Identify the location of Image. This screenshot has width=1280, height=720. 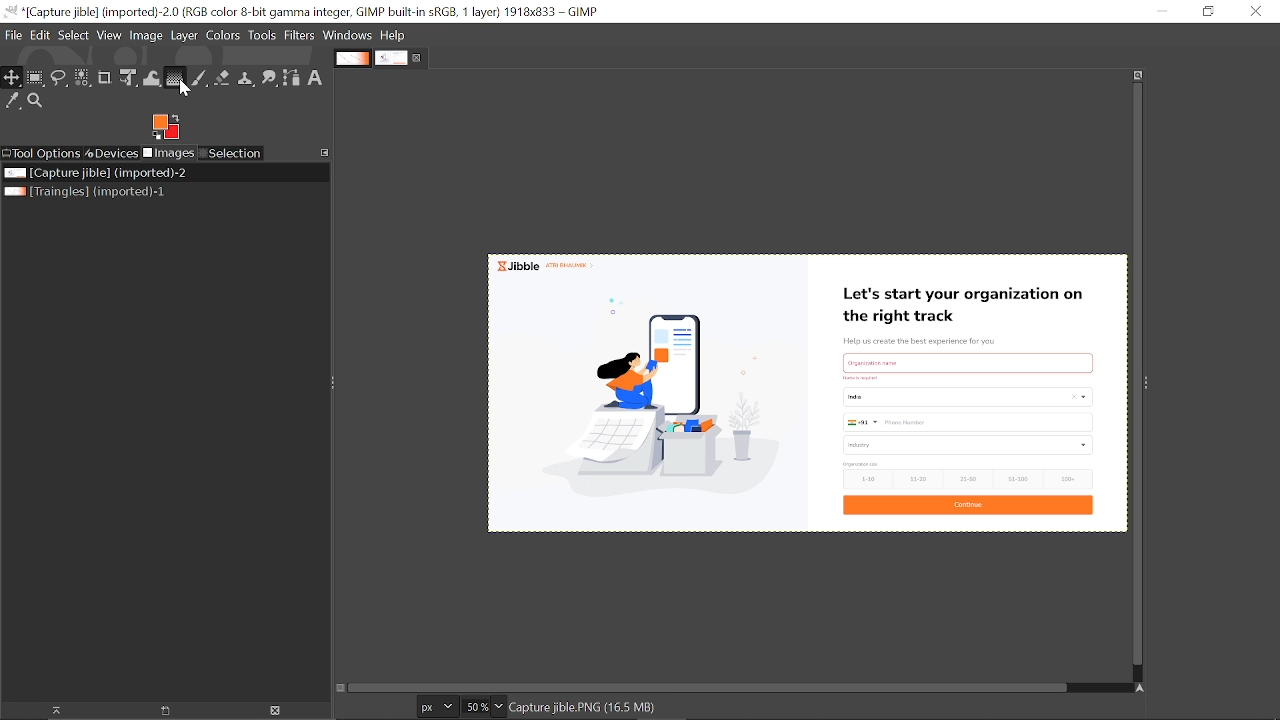
(147, 36).